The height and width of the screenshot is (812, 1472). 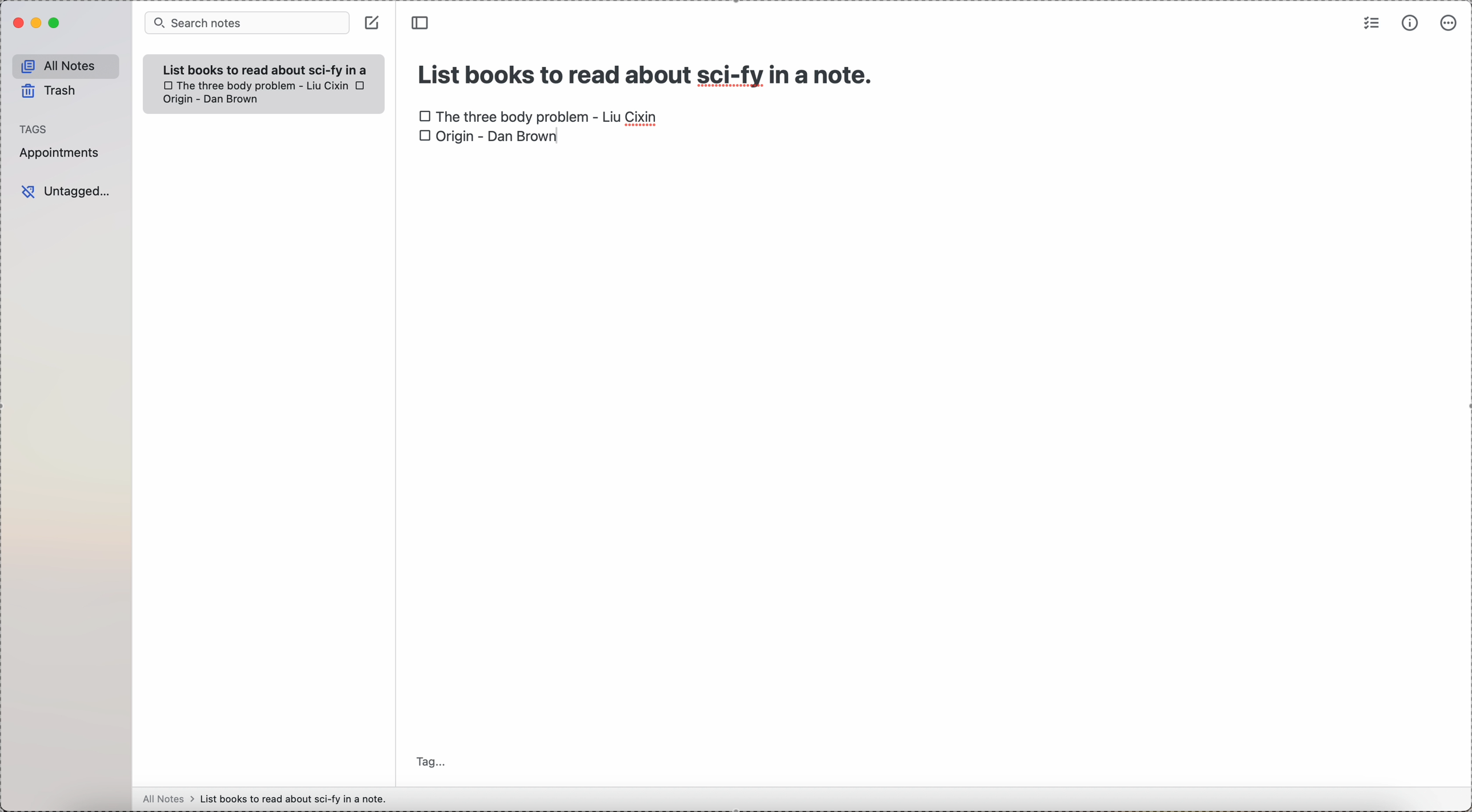 What do you see at coordinates (54, 25) in the screenshot?
I see `maximize` at bounding box center [54, 25].